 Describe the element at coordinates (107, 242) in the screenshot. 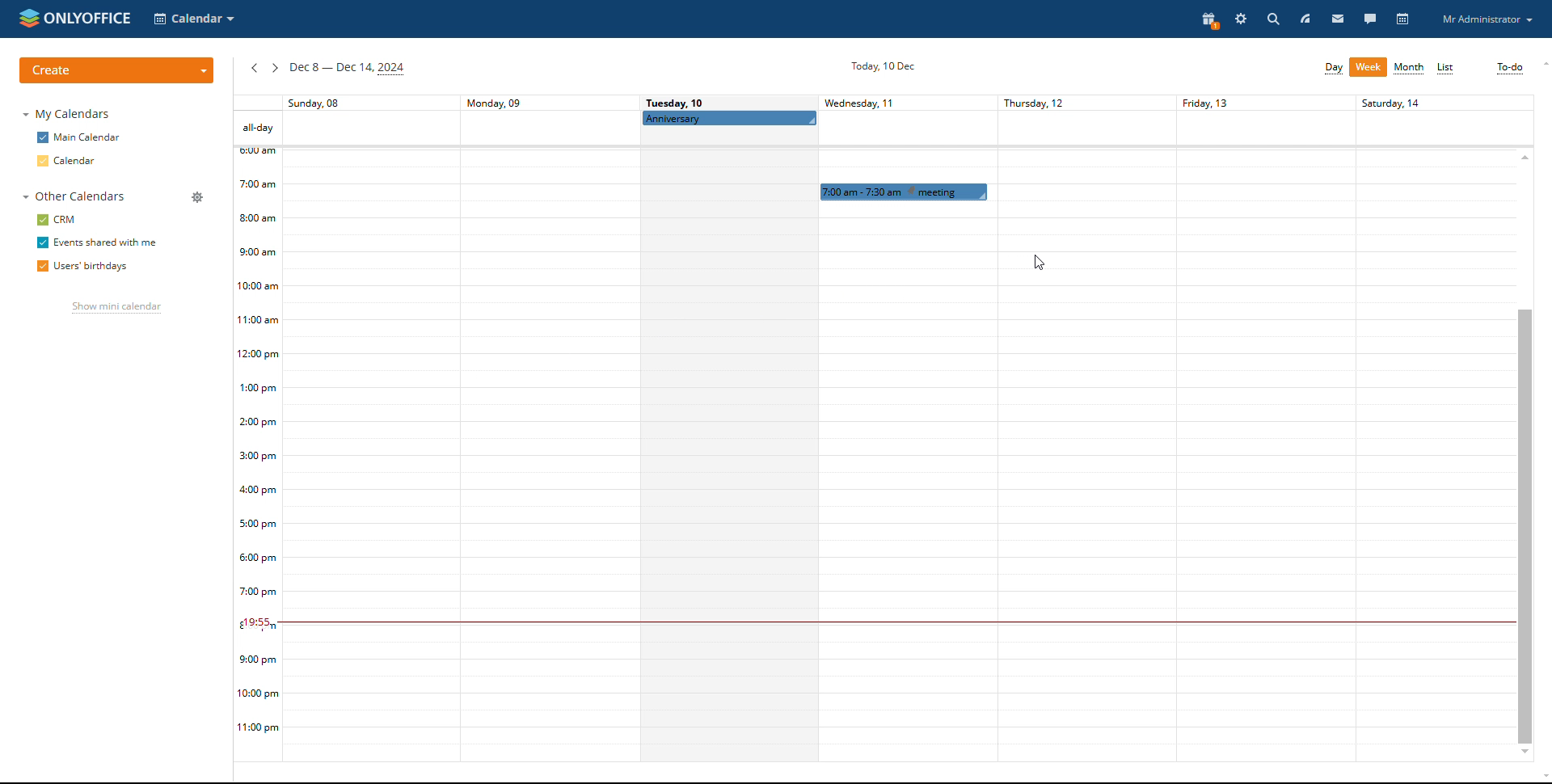

I see `events shared with me` at that location.